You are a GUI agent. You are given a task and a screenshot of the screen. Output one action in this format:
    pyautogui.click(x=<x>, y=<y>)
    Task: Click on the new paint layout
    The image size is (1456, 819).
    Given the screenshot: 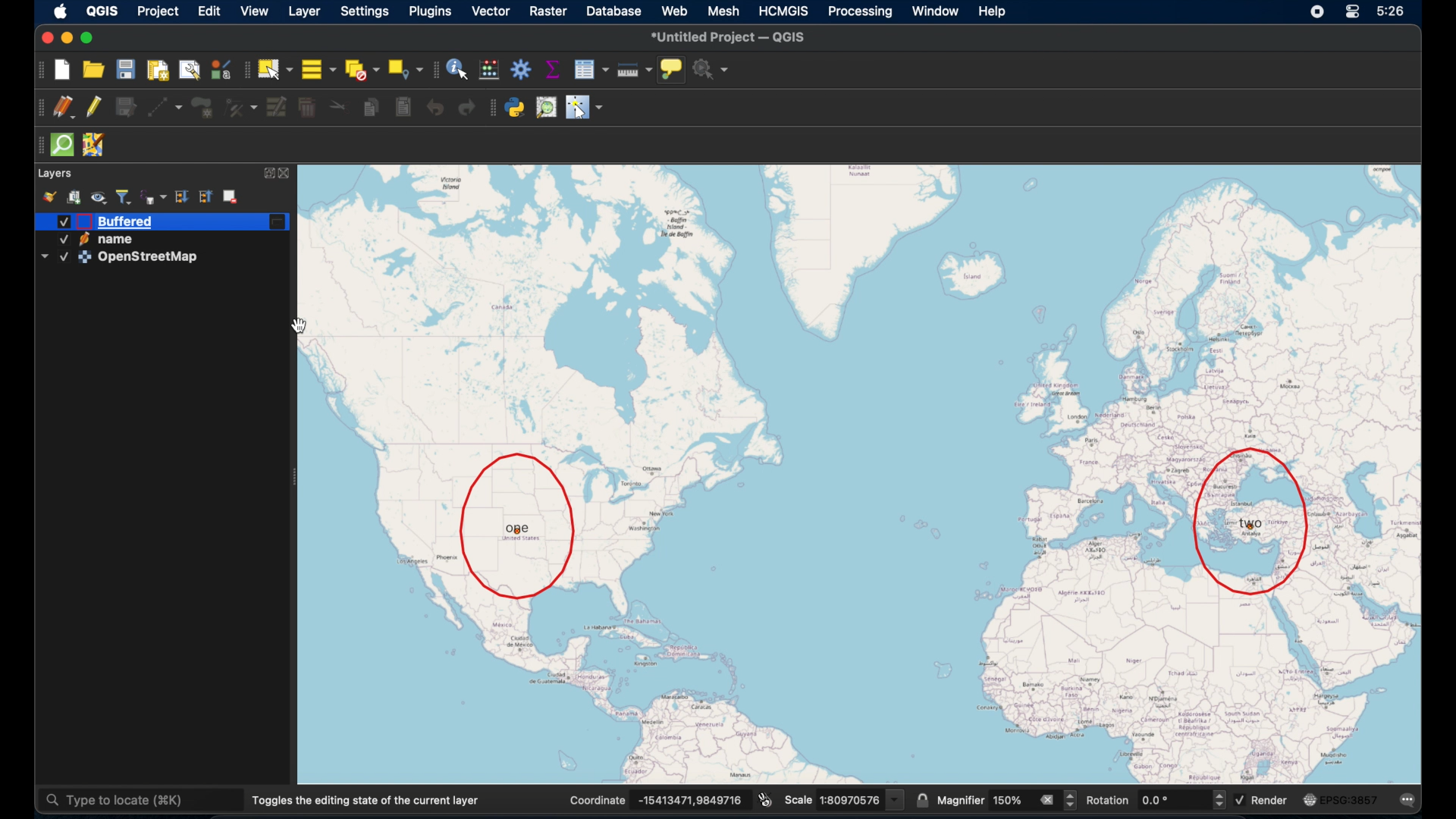 What is the action you would take?
    pyautogui.click(x=158, y=71)
    